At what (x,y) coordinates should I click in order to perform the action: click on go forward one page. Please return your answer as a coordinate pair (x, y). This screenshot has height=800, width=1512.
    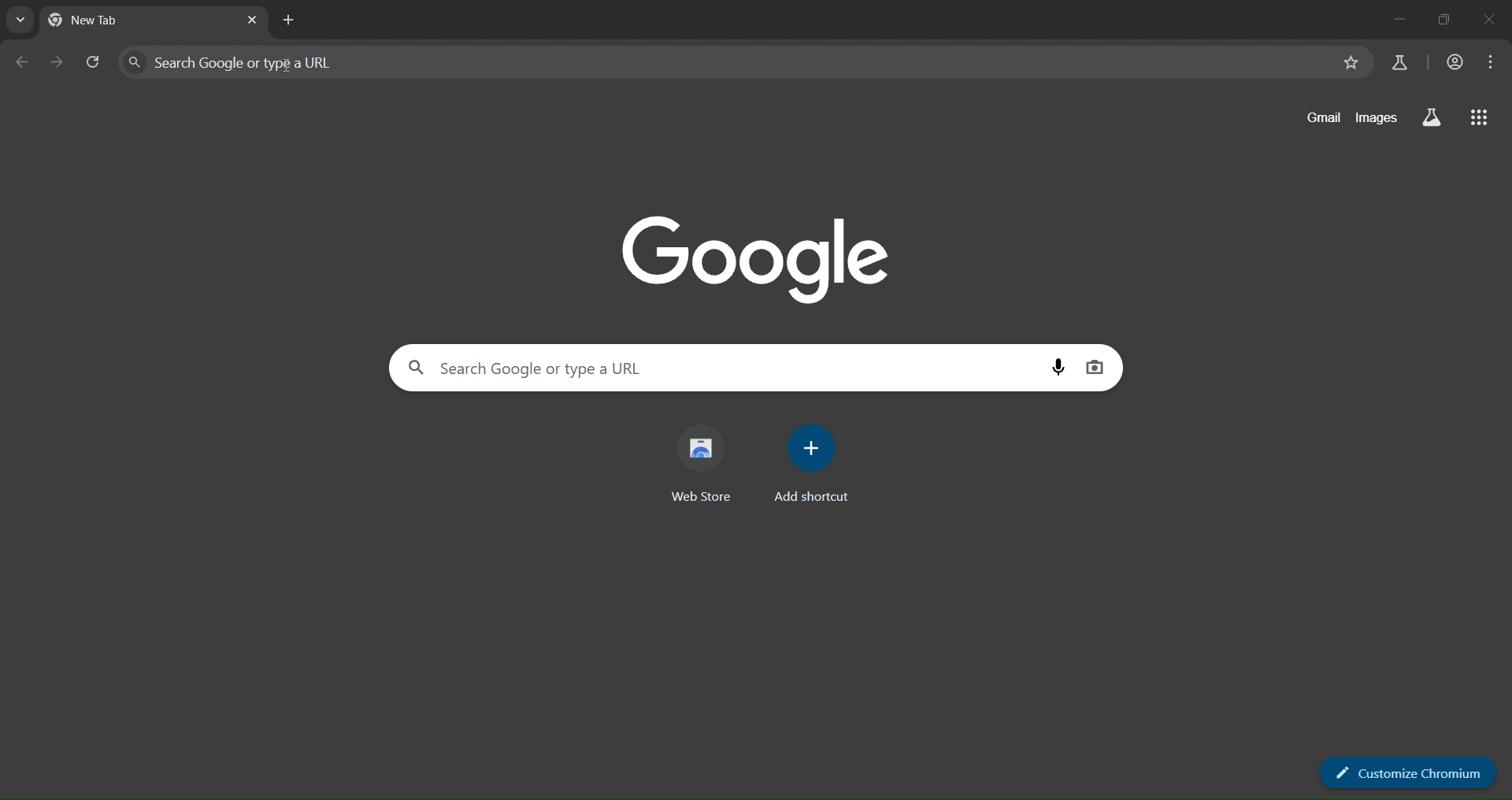
    Looking at the image, I should click on (60, 62).